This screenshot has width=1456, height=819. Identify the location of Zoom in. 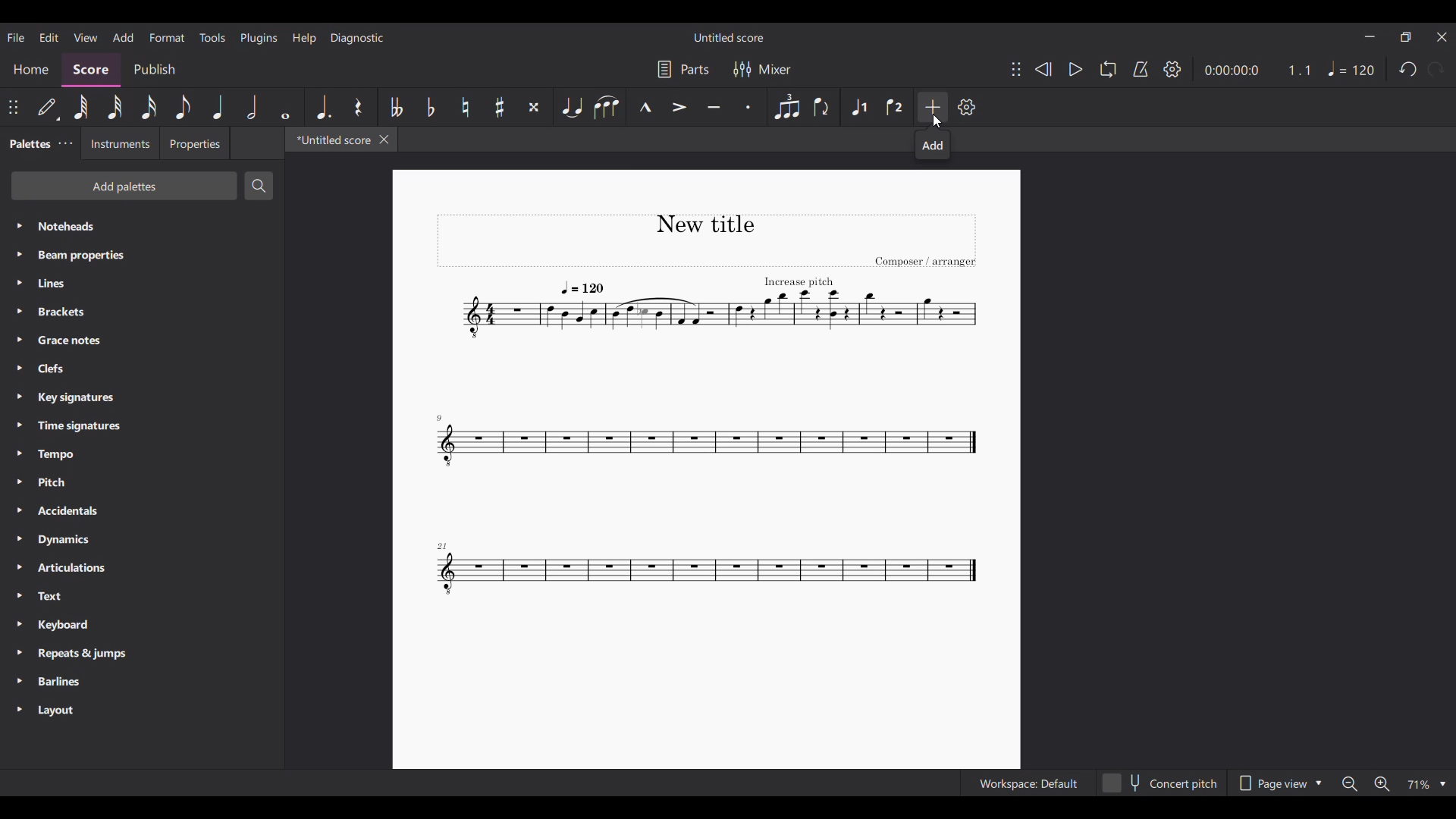
(1382, 783).